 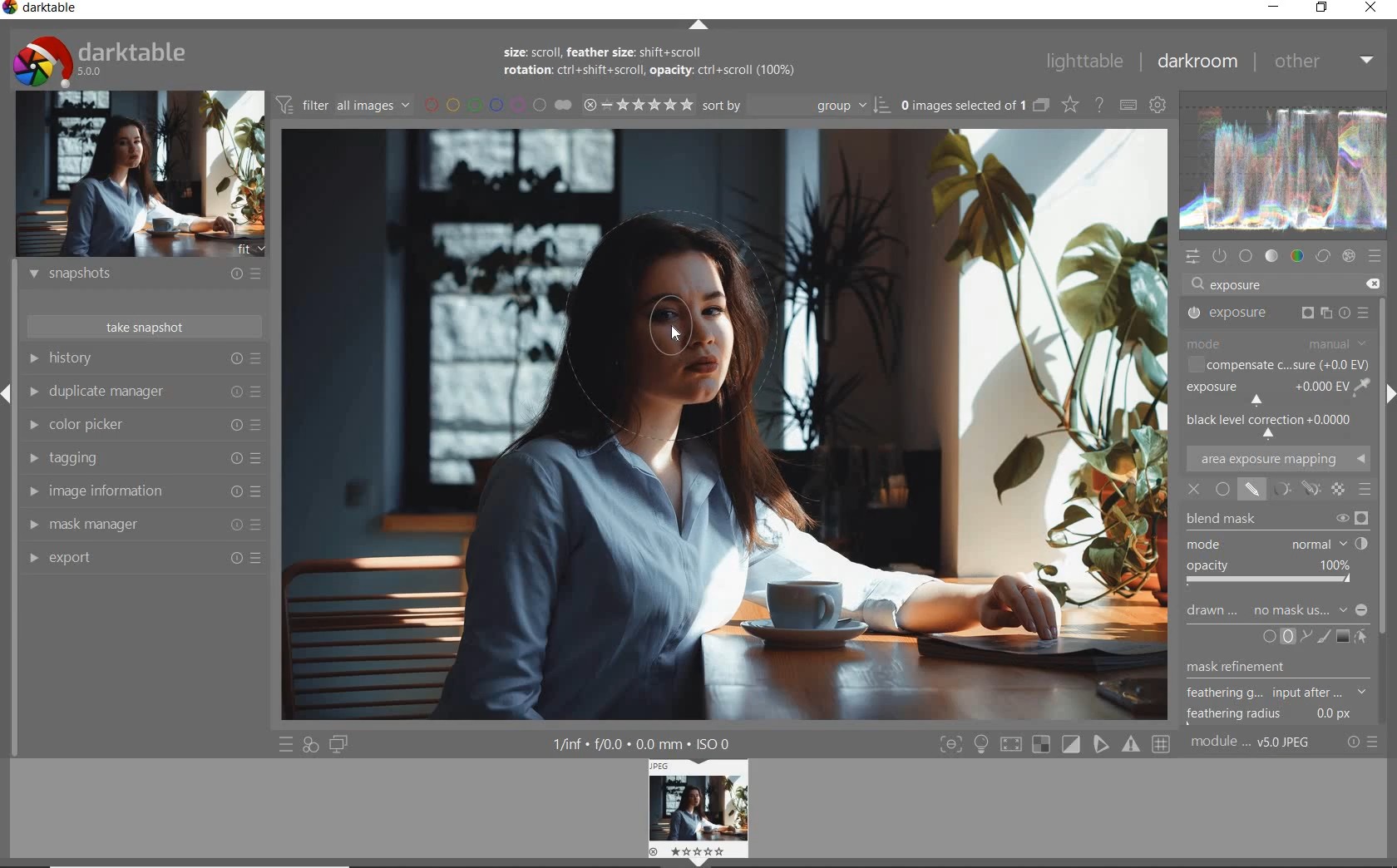 What do you see at coordinates (698, 24) in the screenshot?
I see `expand/collapse` at bounding box center [698, 24].